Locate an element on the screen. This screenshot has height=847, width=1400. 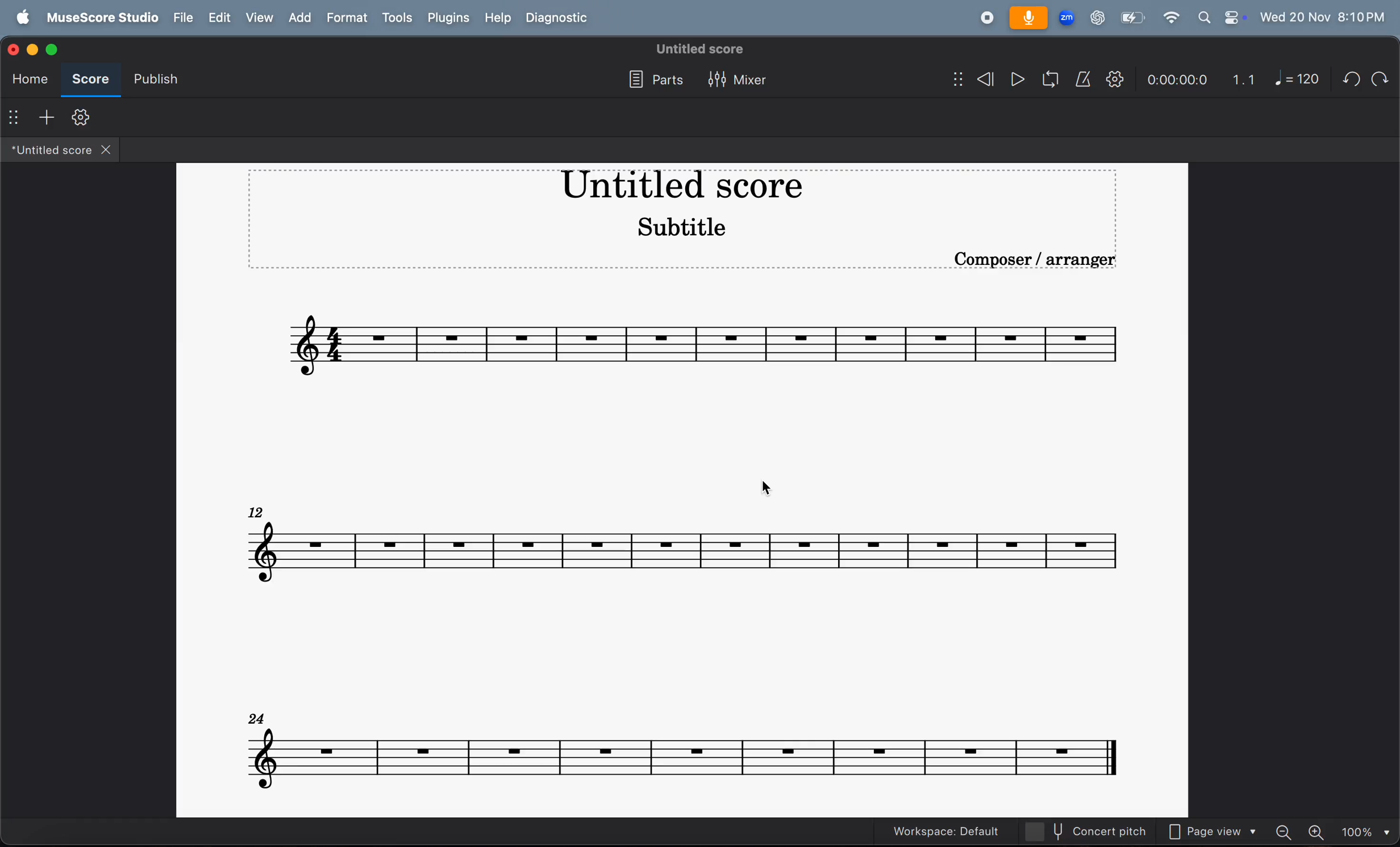
help is located at coordinates (501, 18).